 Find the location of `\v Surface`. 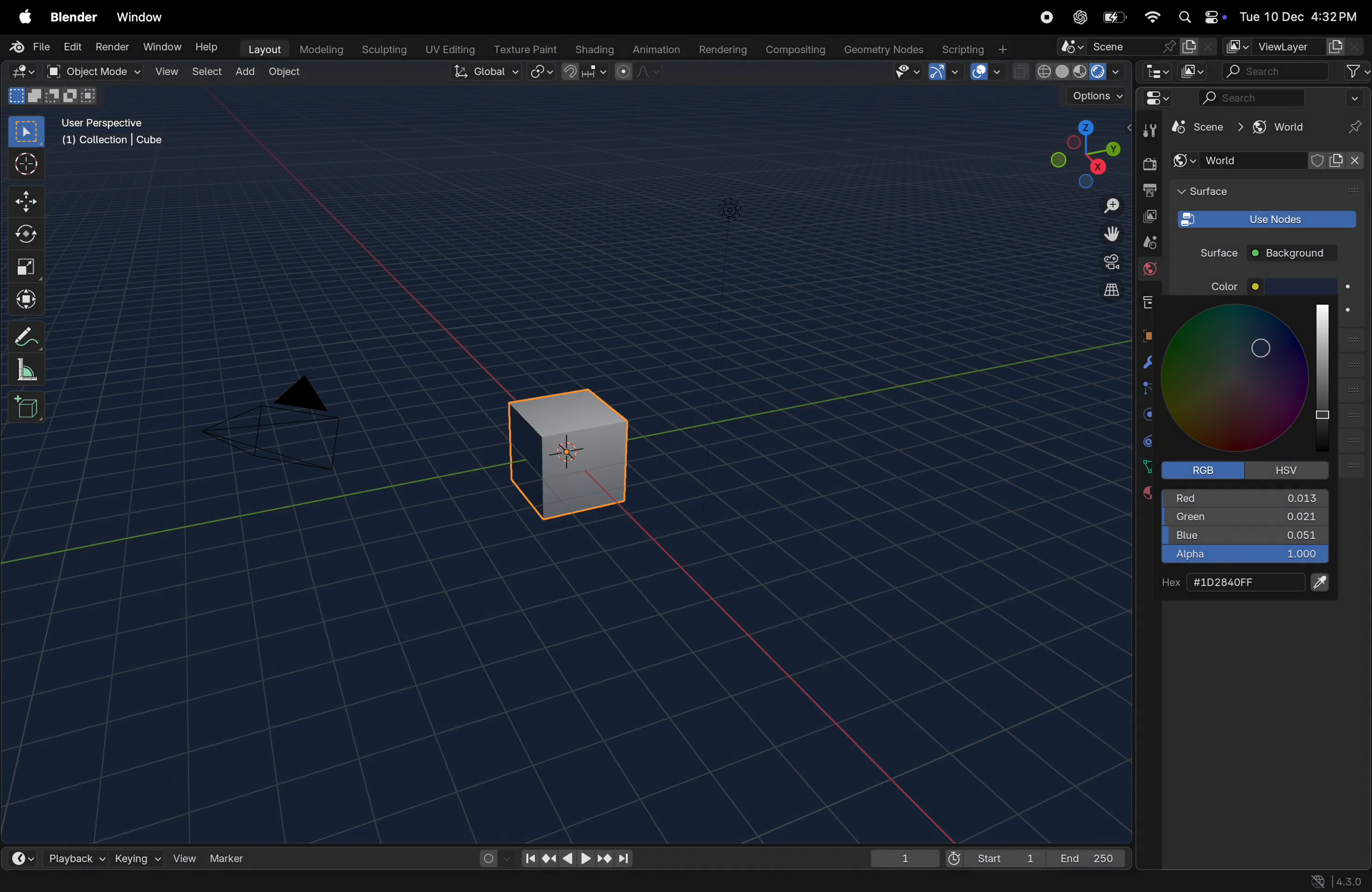

\v Surface is located at coordinates (1255, 193).